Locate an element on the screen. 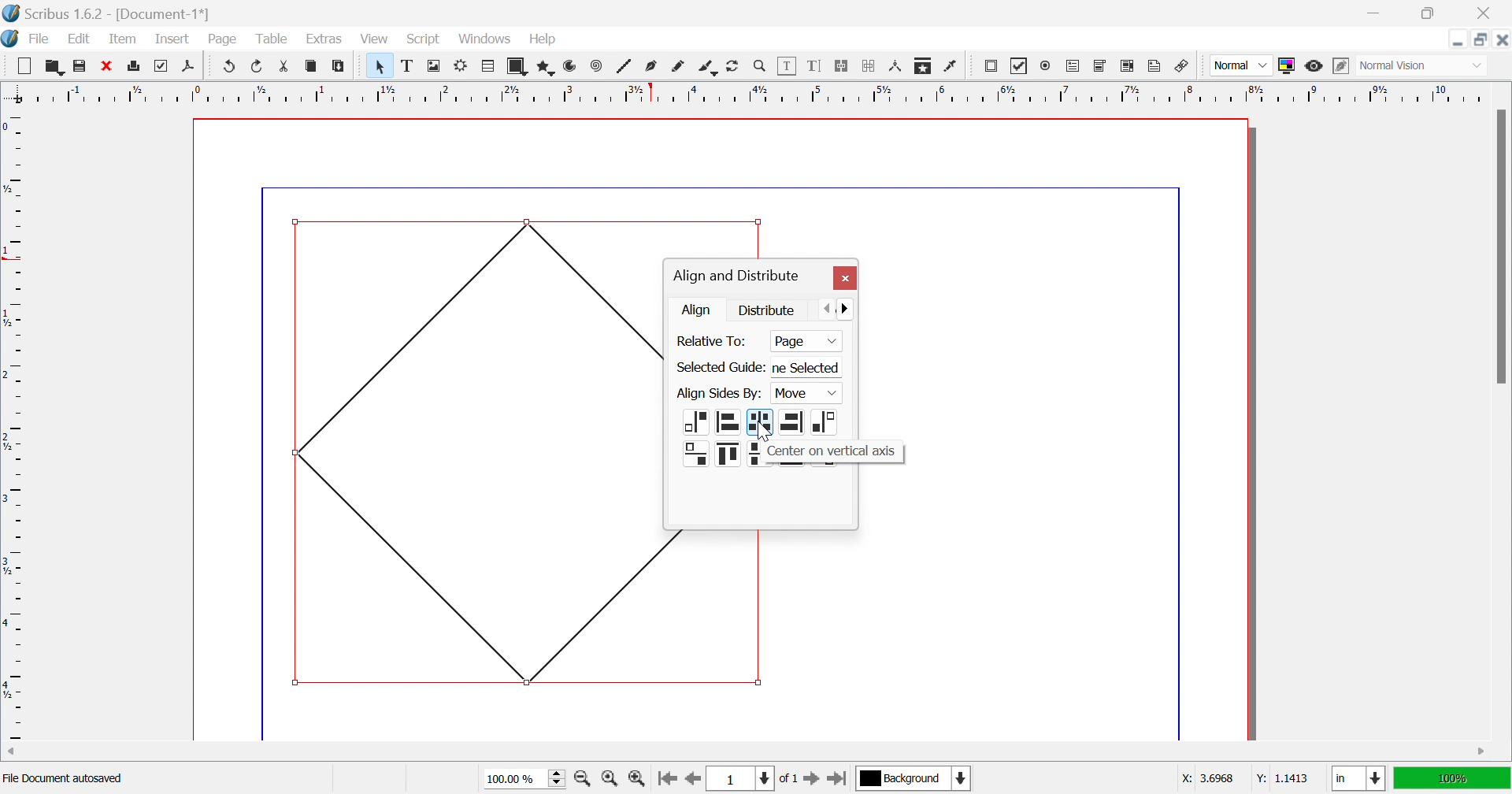 This screenshot has height=794, width=1512. Redo is located at coordinates (258, 65).